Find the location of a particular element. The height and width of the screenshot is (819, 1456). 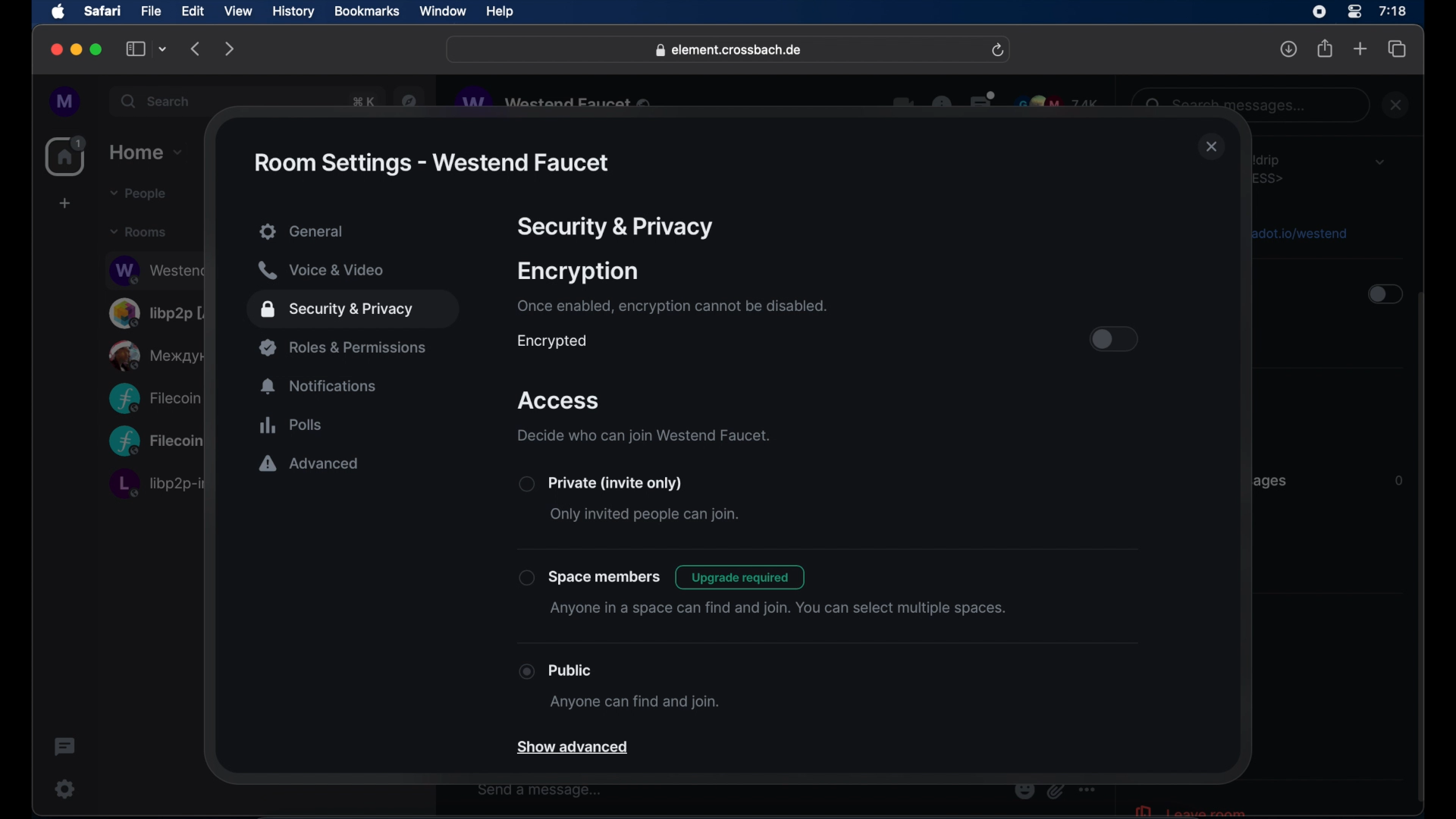

close is located at coordinates (1398, 105).